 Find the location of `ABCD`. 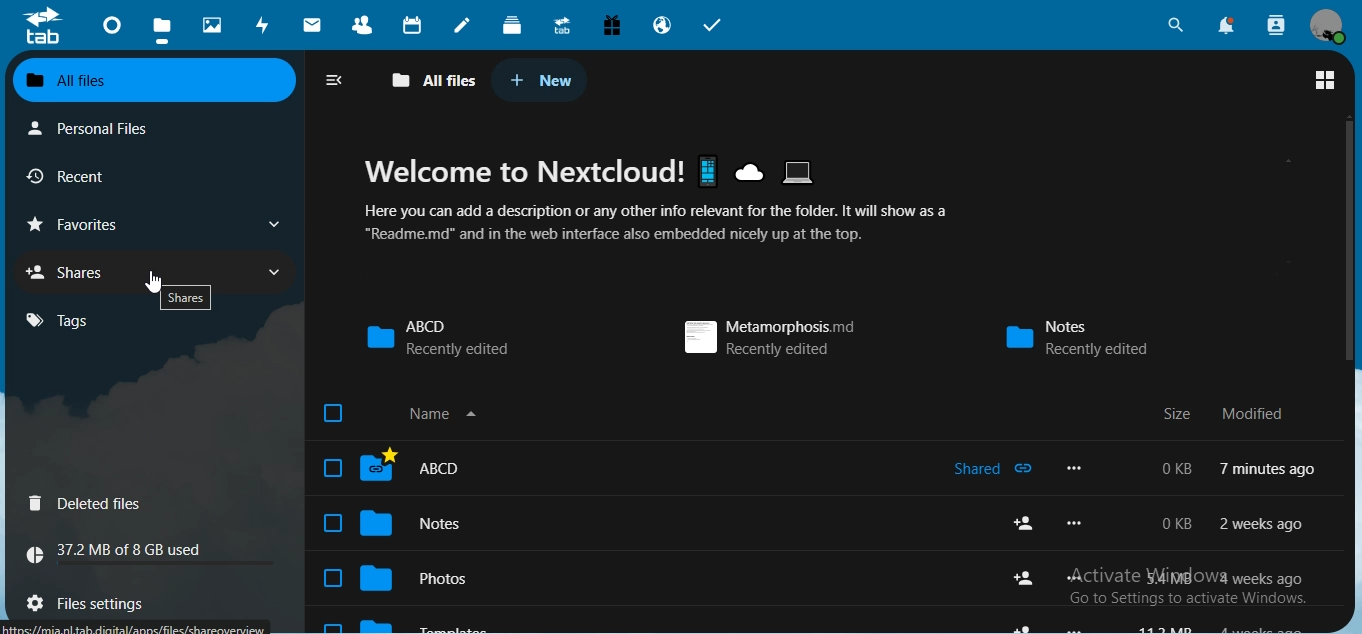

ABCD is located at coordinates (632, 468).